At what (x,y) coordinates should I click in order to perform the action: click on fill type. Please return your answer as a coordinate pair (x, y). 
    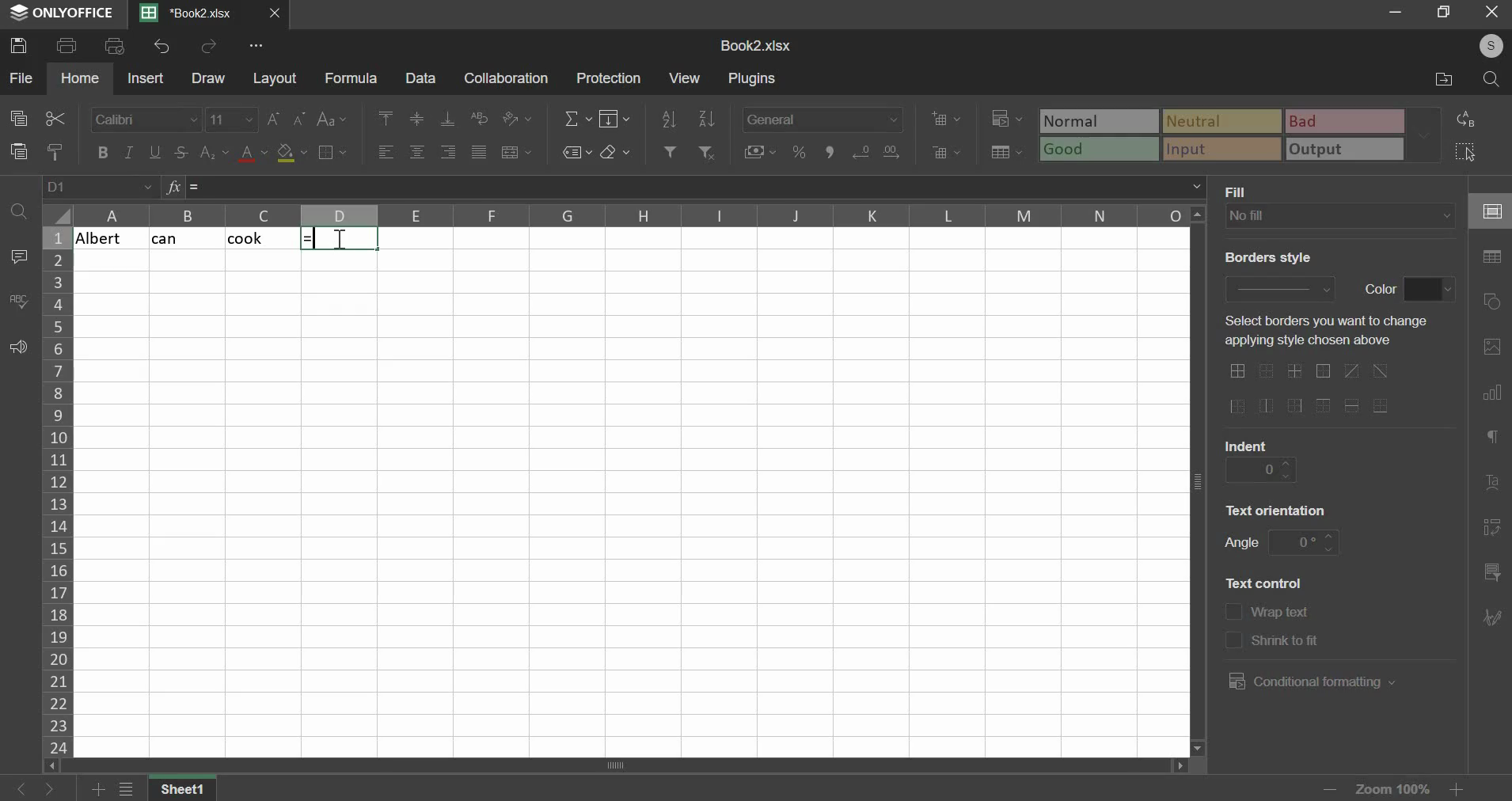
    Looking at the image, I should click on (1340, 216).